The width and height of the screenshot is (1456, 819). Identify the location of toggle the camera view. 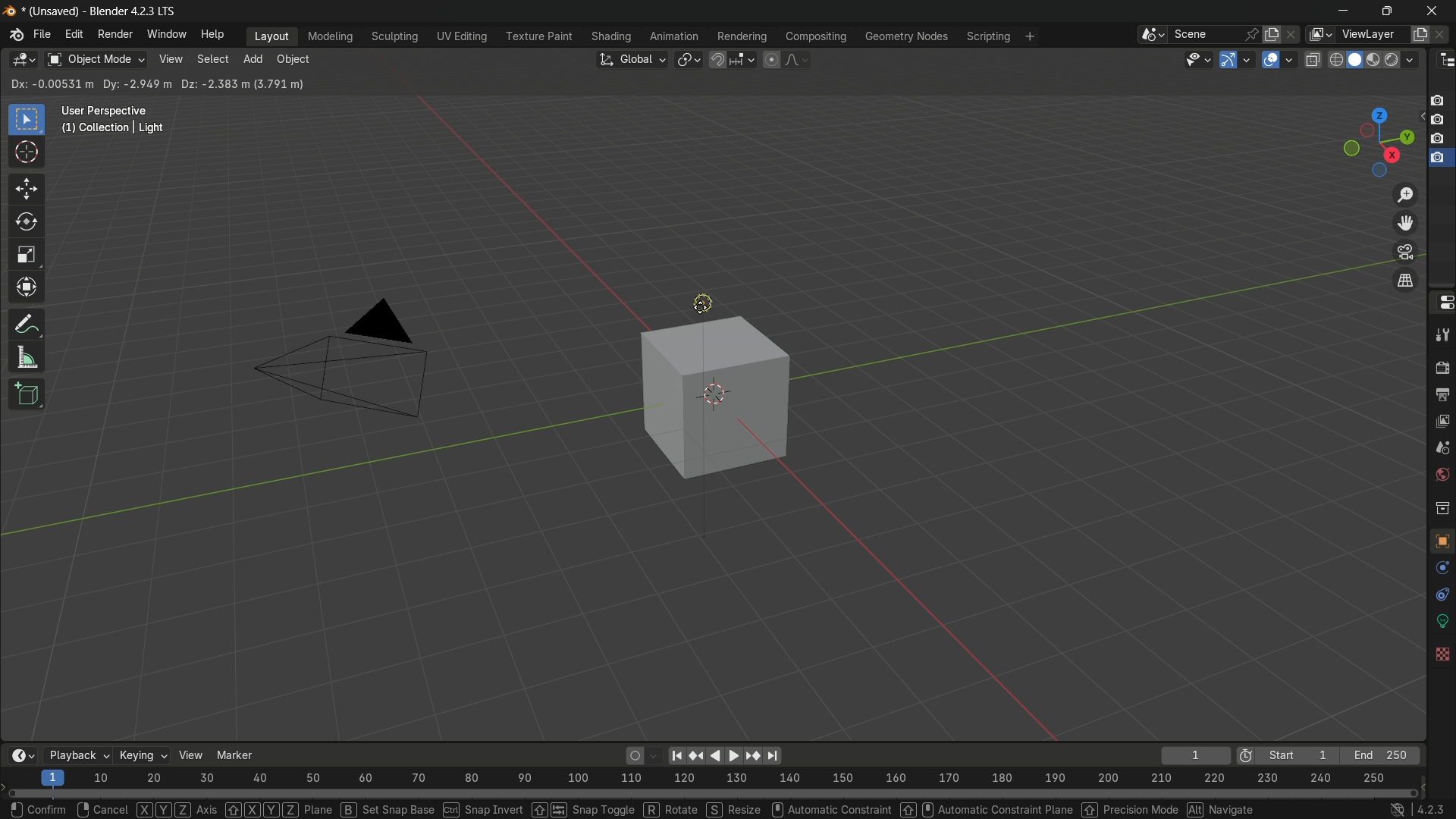
(1404, 252).